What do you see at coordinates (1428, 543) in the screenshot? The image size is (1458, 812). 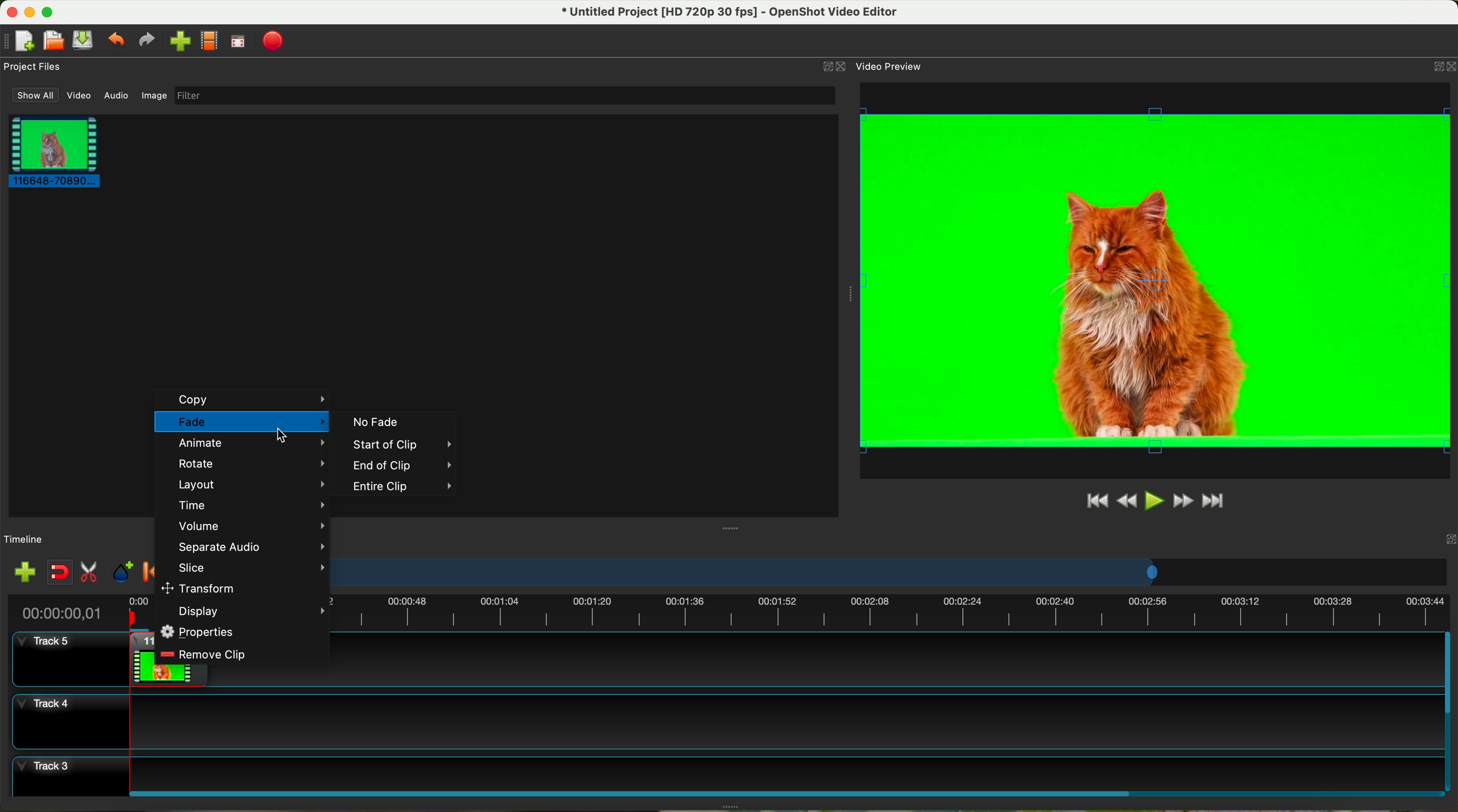 I see `close` at bounding box center [1428, 543].